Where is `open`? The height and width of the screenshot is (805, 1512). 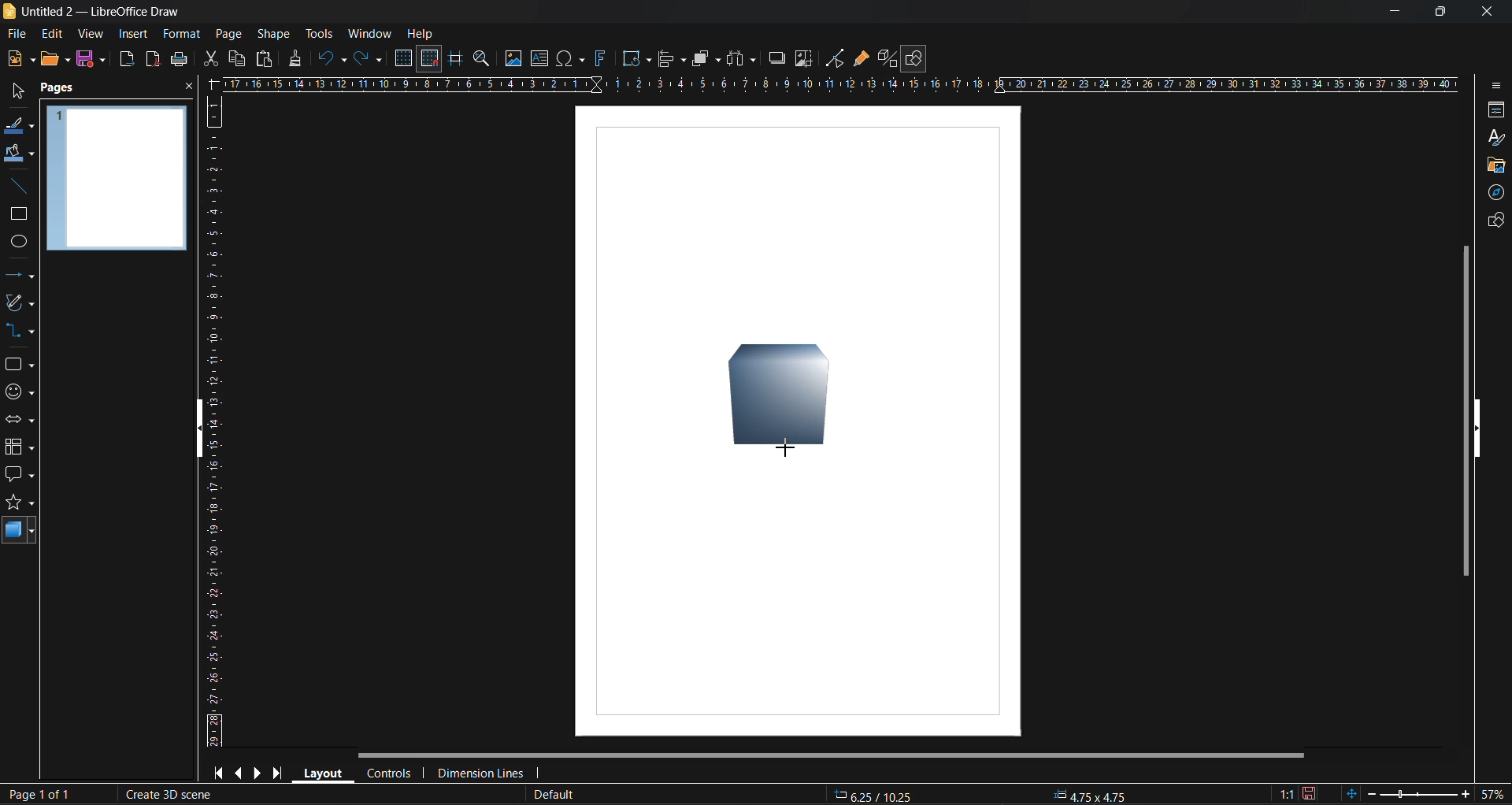
open is located at coordinates (54, 58).